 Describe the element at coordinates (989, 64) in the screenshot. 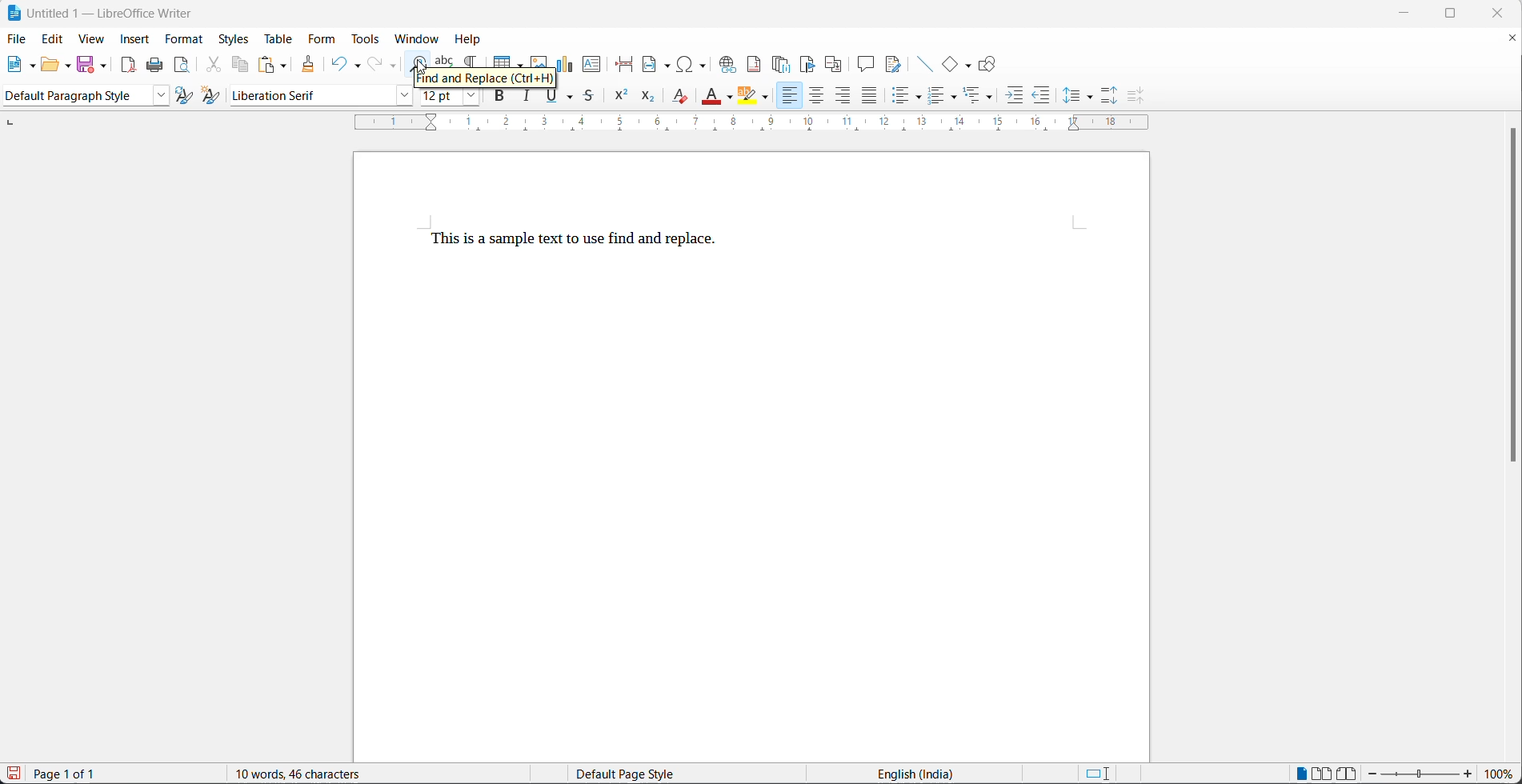

I see `show draw functions` at that location.